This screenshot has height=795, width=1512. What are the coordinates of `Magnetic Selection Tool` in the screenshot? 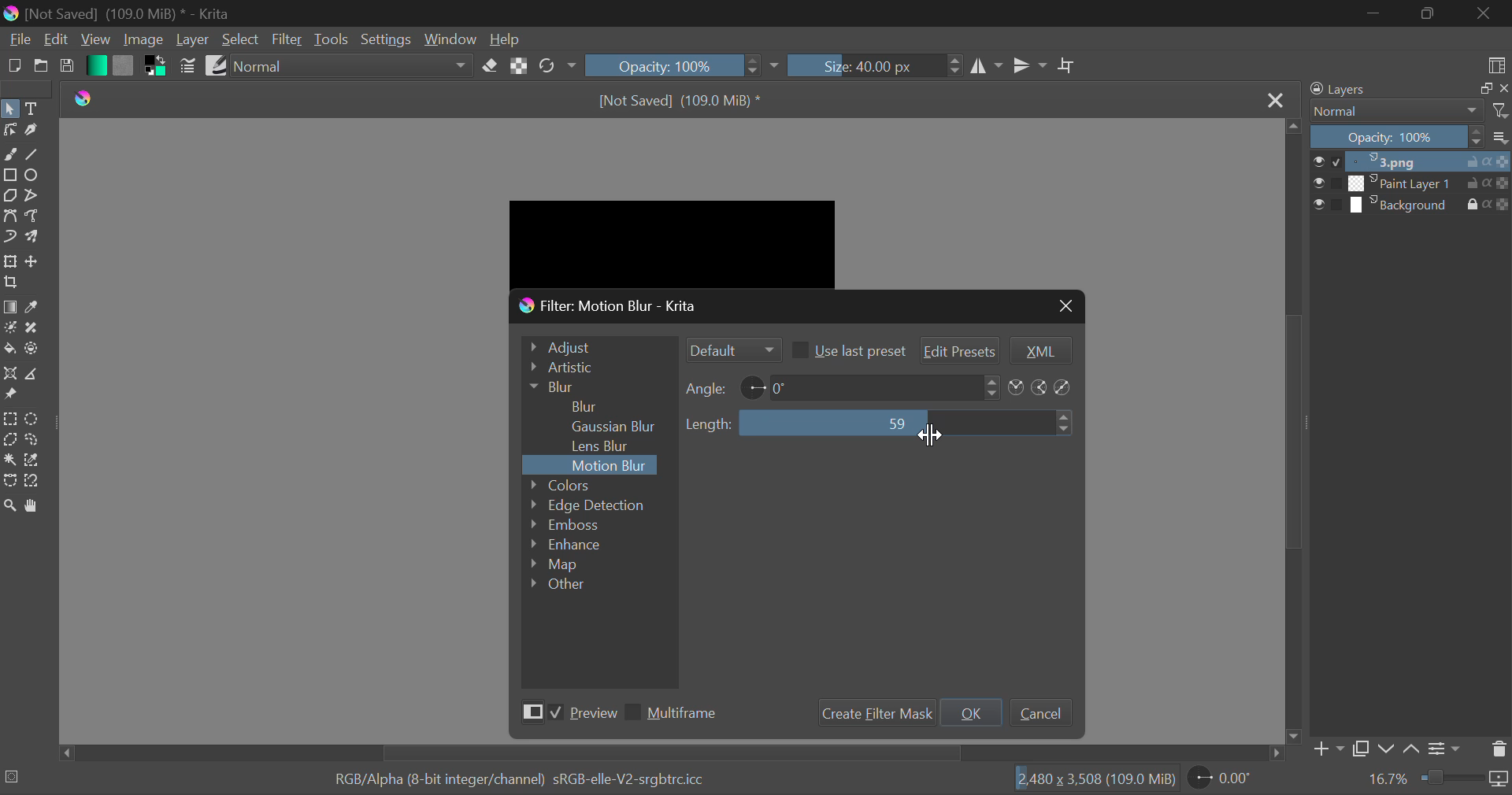 It's located at (33, 484).